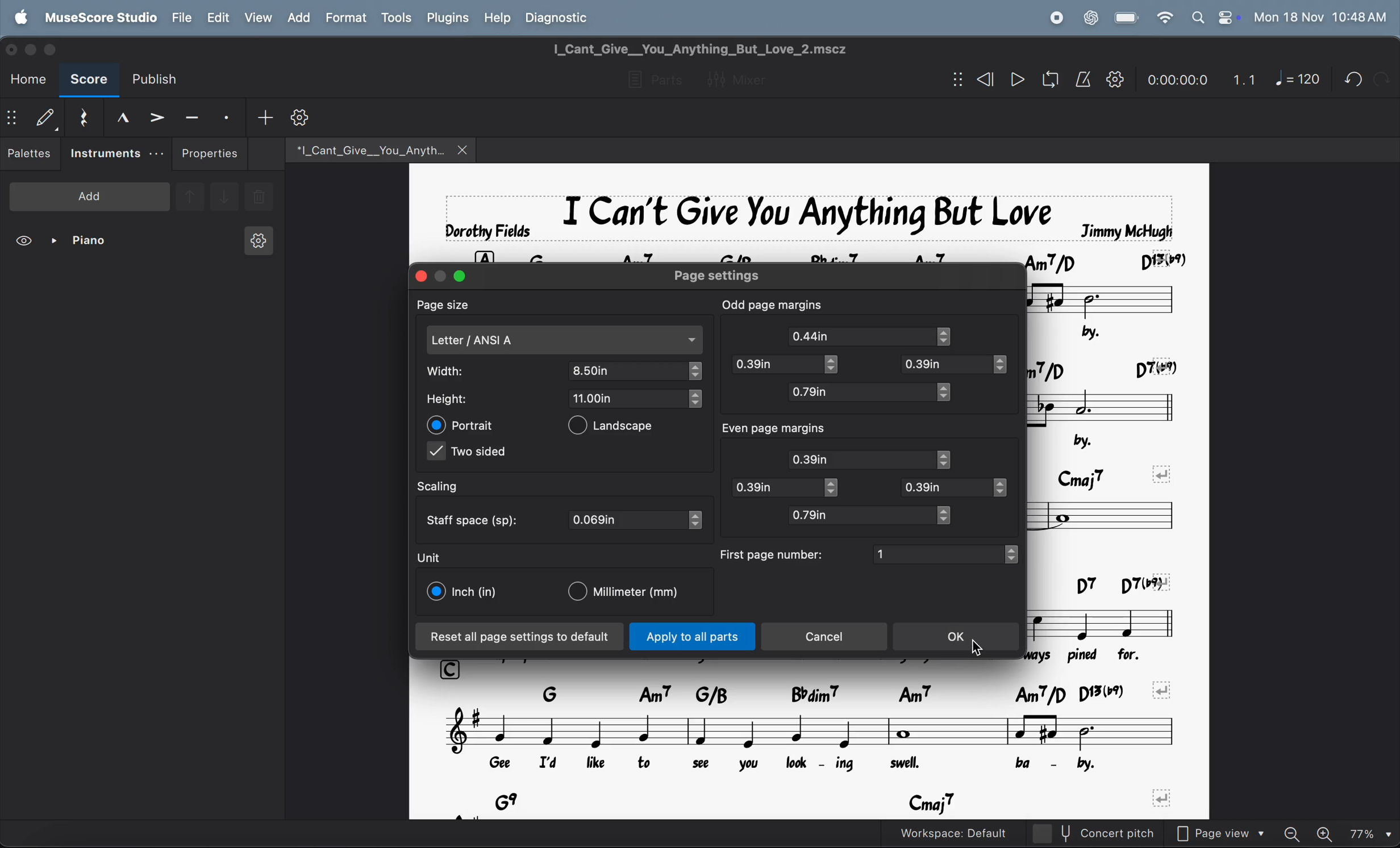 The image size is (1400, 848). What do you see at coordinates (694, 399) in the screenshot?
I see `toggle` at bounding box center [694, 399].